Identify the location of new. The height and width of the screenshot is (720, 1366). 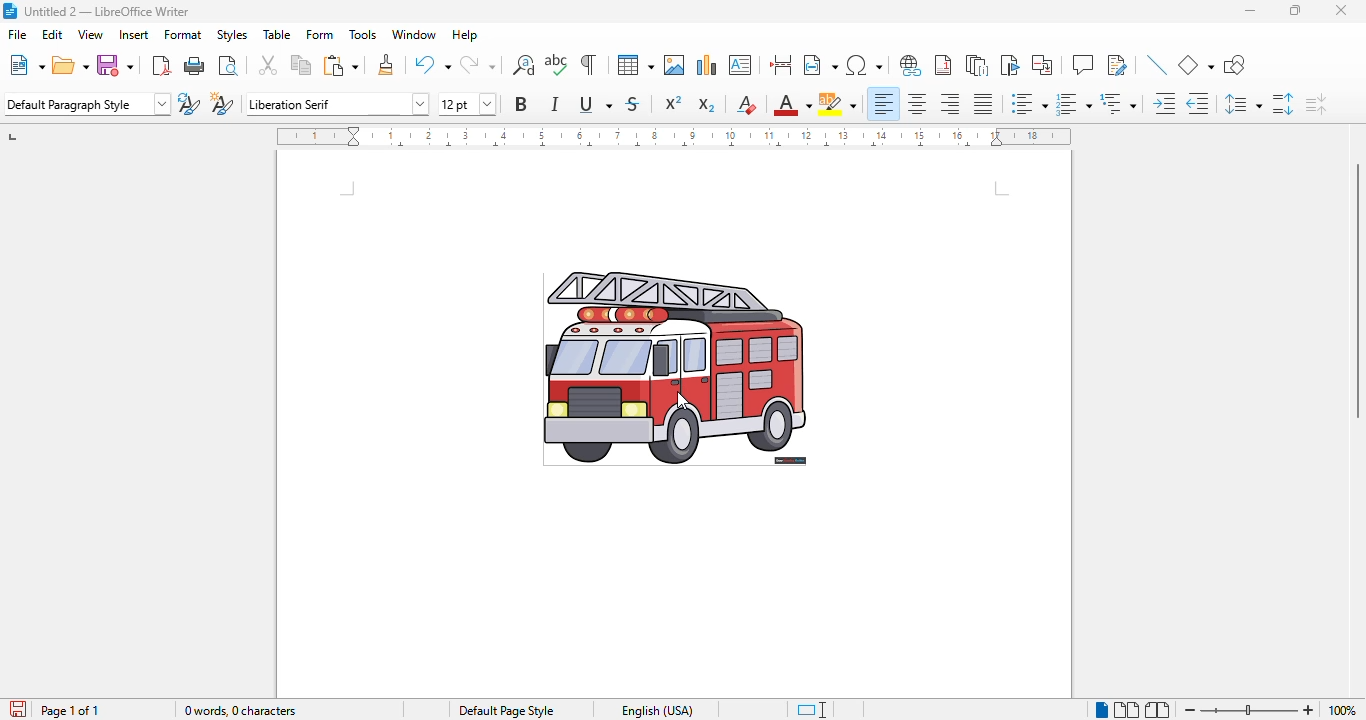
(26, 65).